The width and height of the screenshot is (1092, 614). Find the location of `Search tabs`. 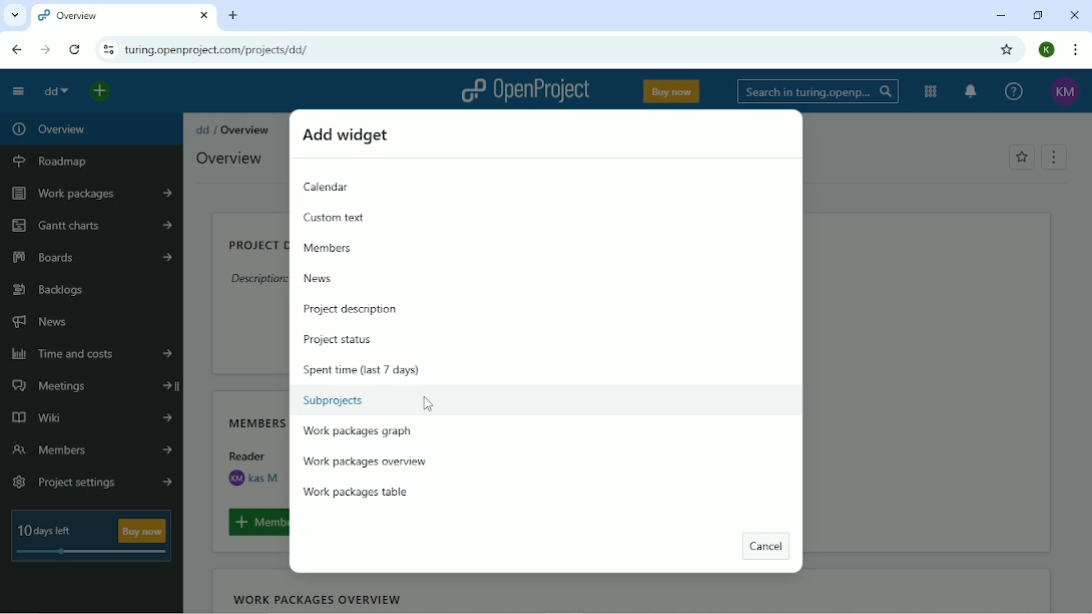

Search tabs is located at coordinates (14, 15).